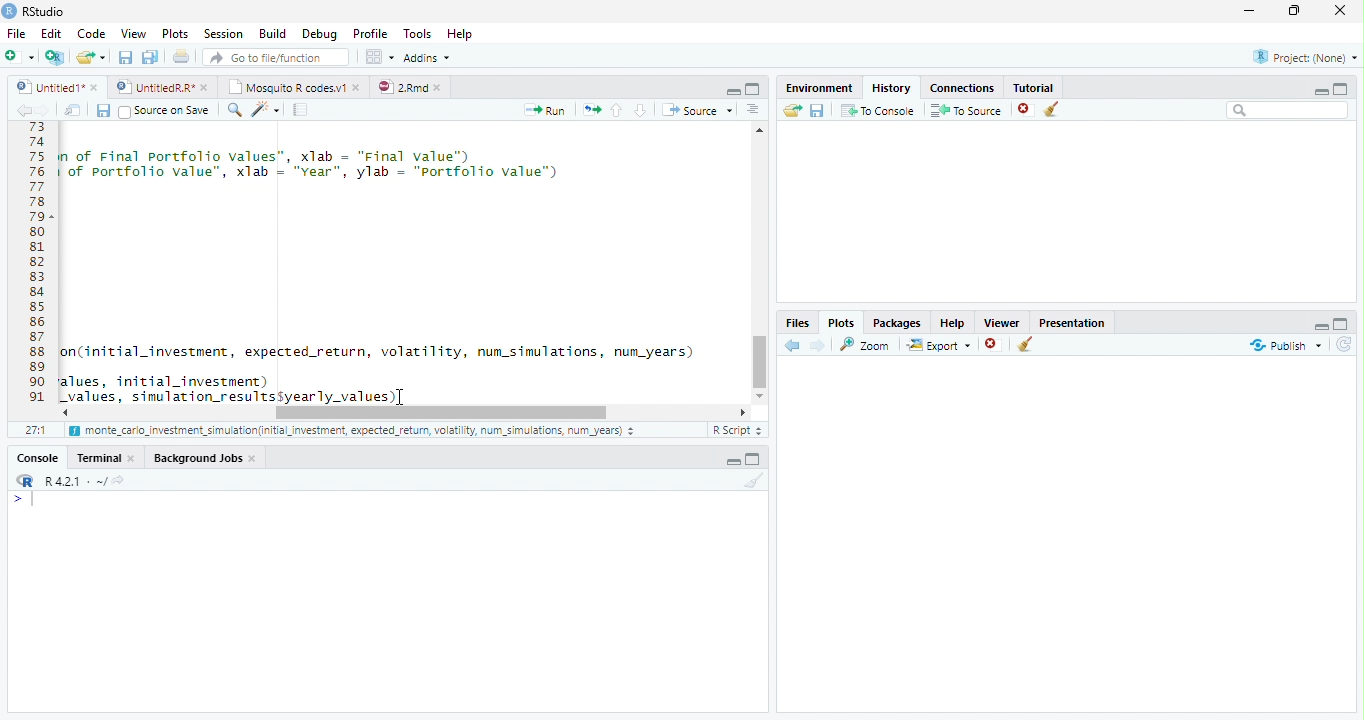  I want to click on Print, so click(181, 56).